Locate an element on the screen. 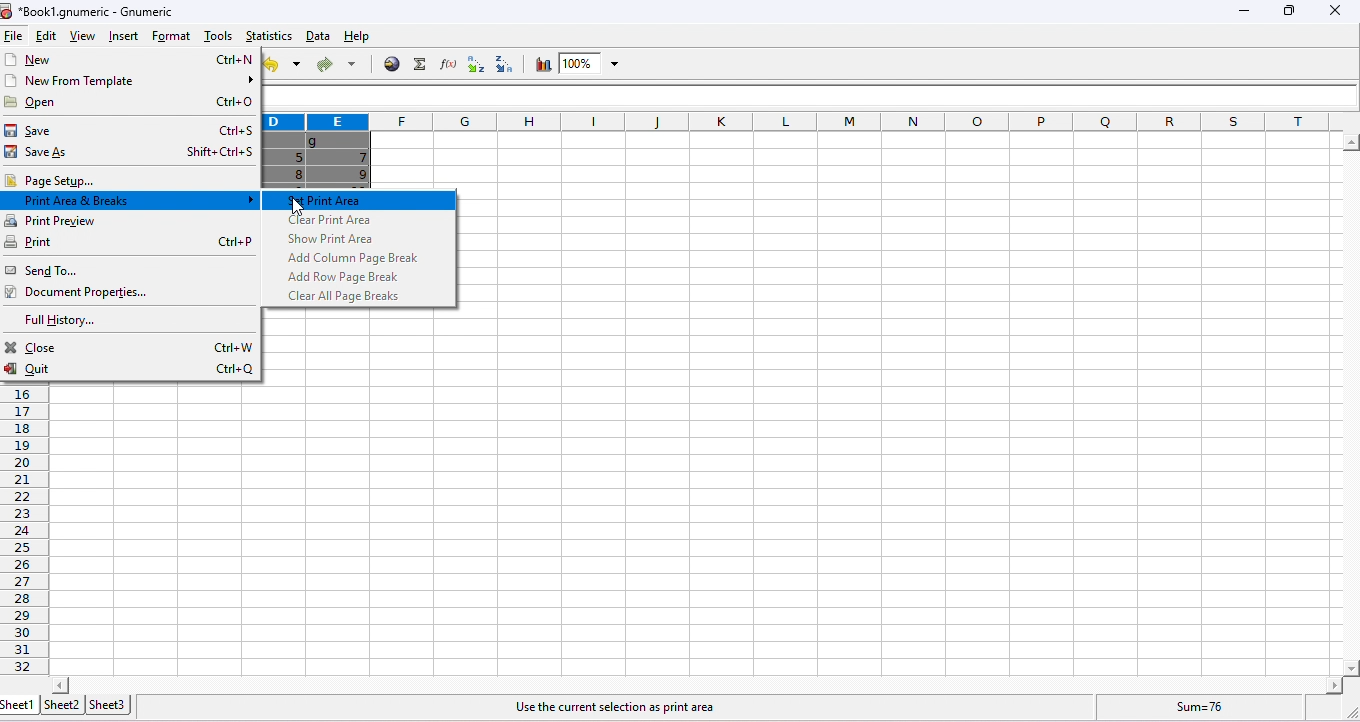 The width and height of the screenshot is (1360, 722). sheet2 is located at coordinates (61, 704).